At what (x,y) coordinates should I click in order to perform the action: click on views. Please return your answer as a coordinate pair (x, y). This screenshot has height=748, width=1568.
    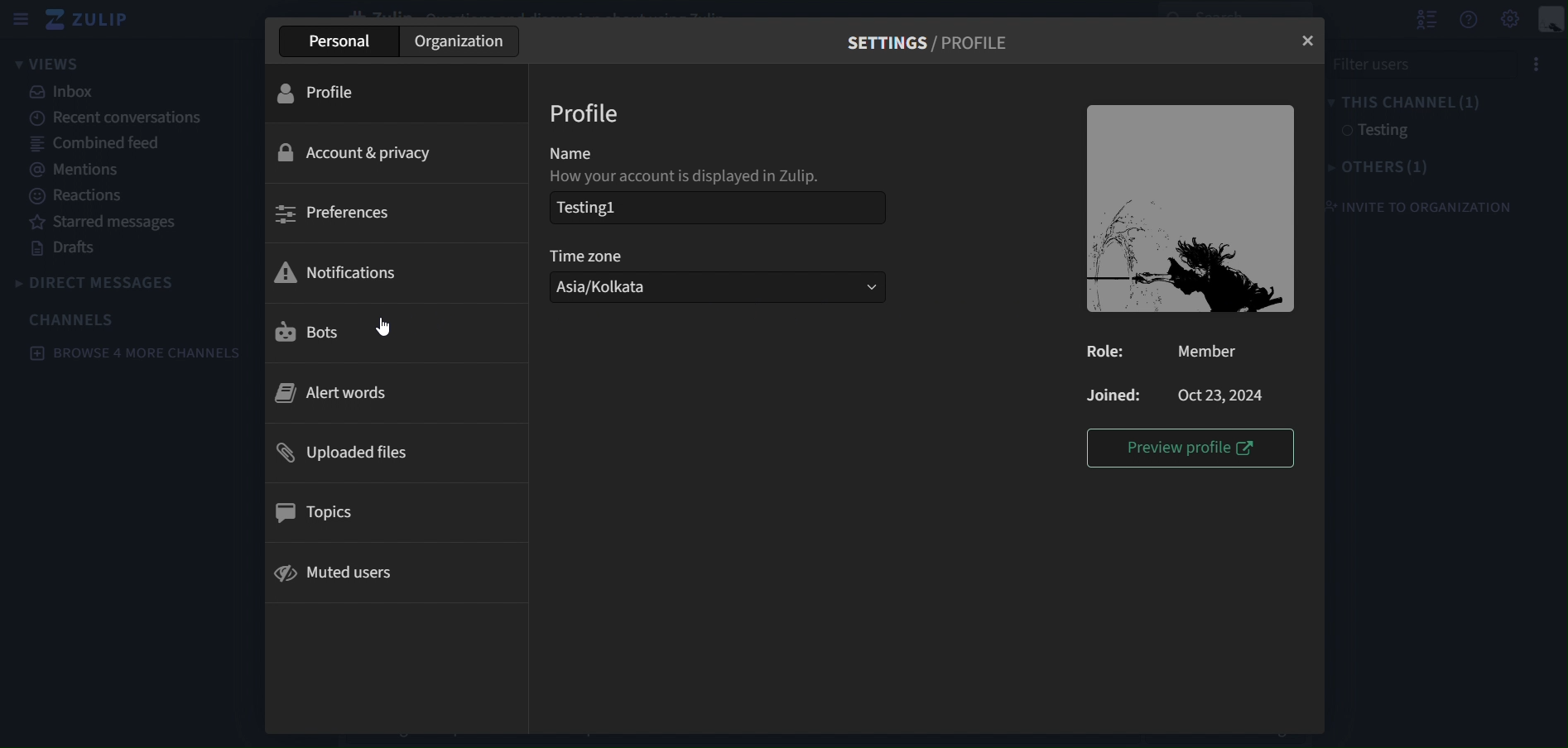
    Looking at the image, I should click on (62, 63).